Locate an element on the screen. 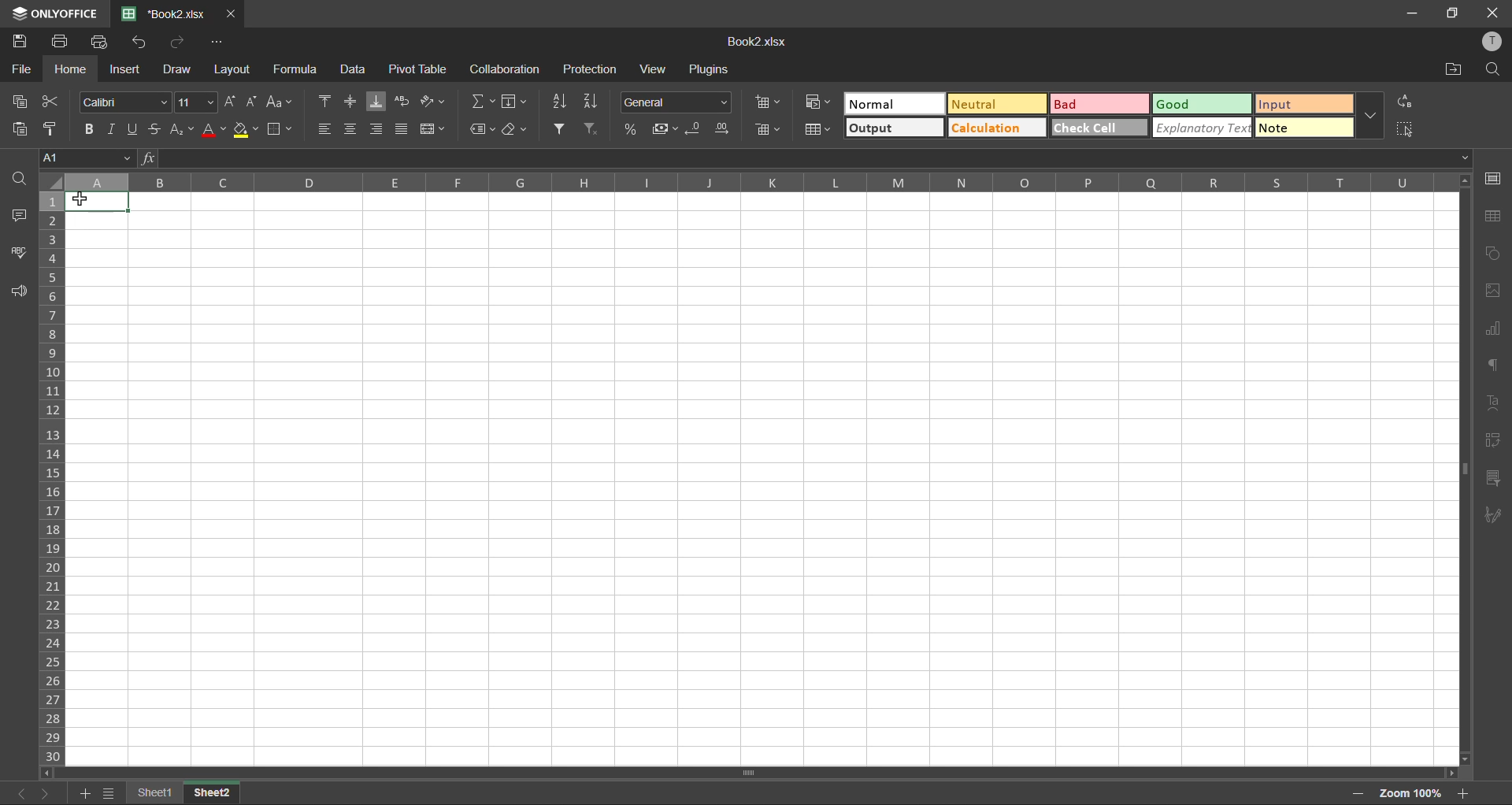 The height and width of the screenshot is (805, 1512). font size is located at coordinates (198, 102).